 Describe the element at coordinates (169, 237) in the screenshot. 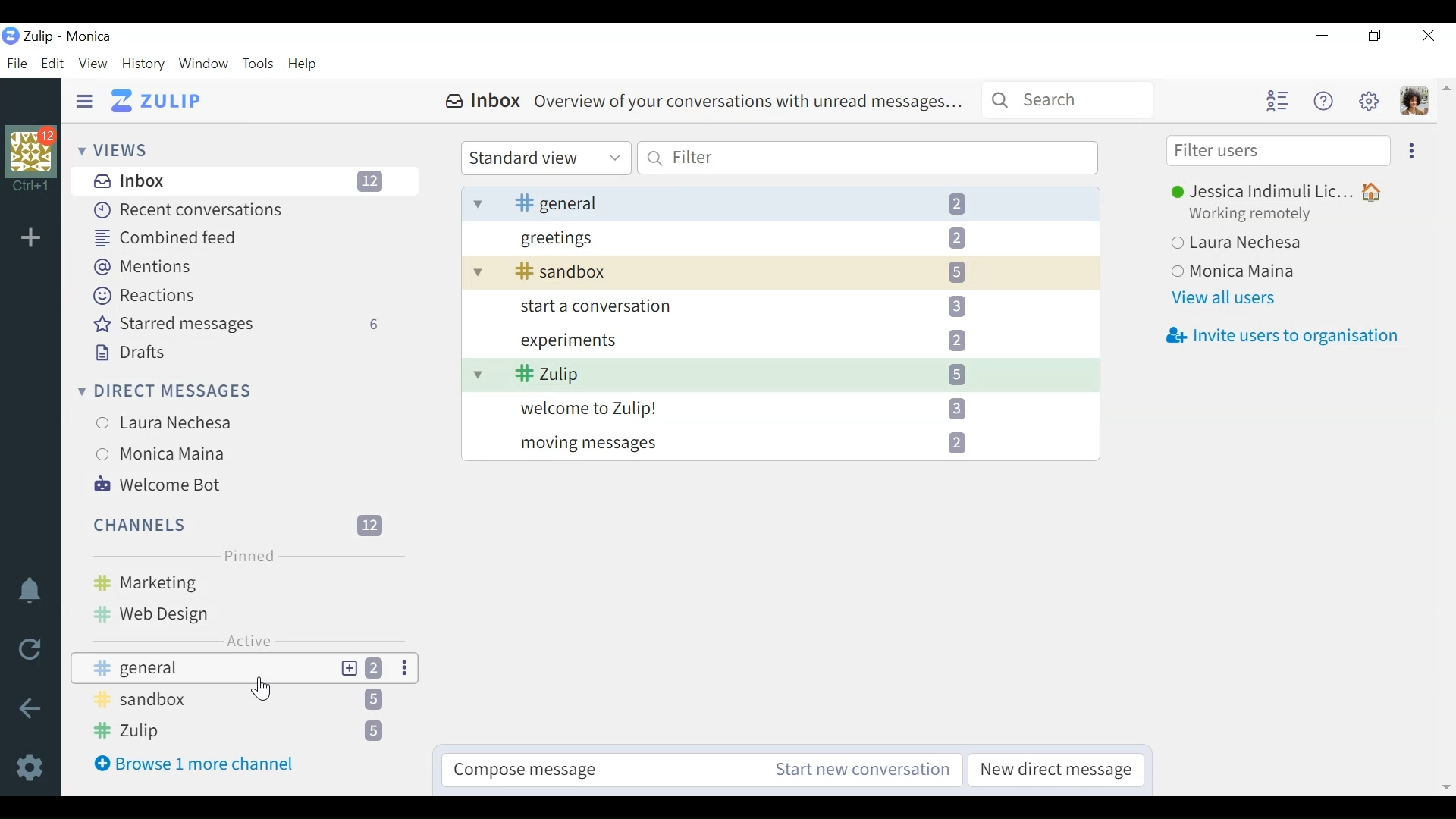

I see `Combined feed` at that location.